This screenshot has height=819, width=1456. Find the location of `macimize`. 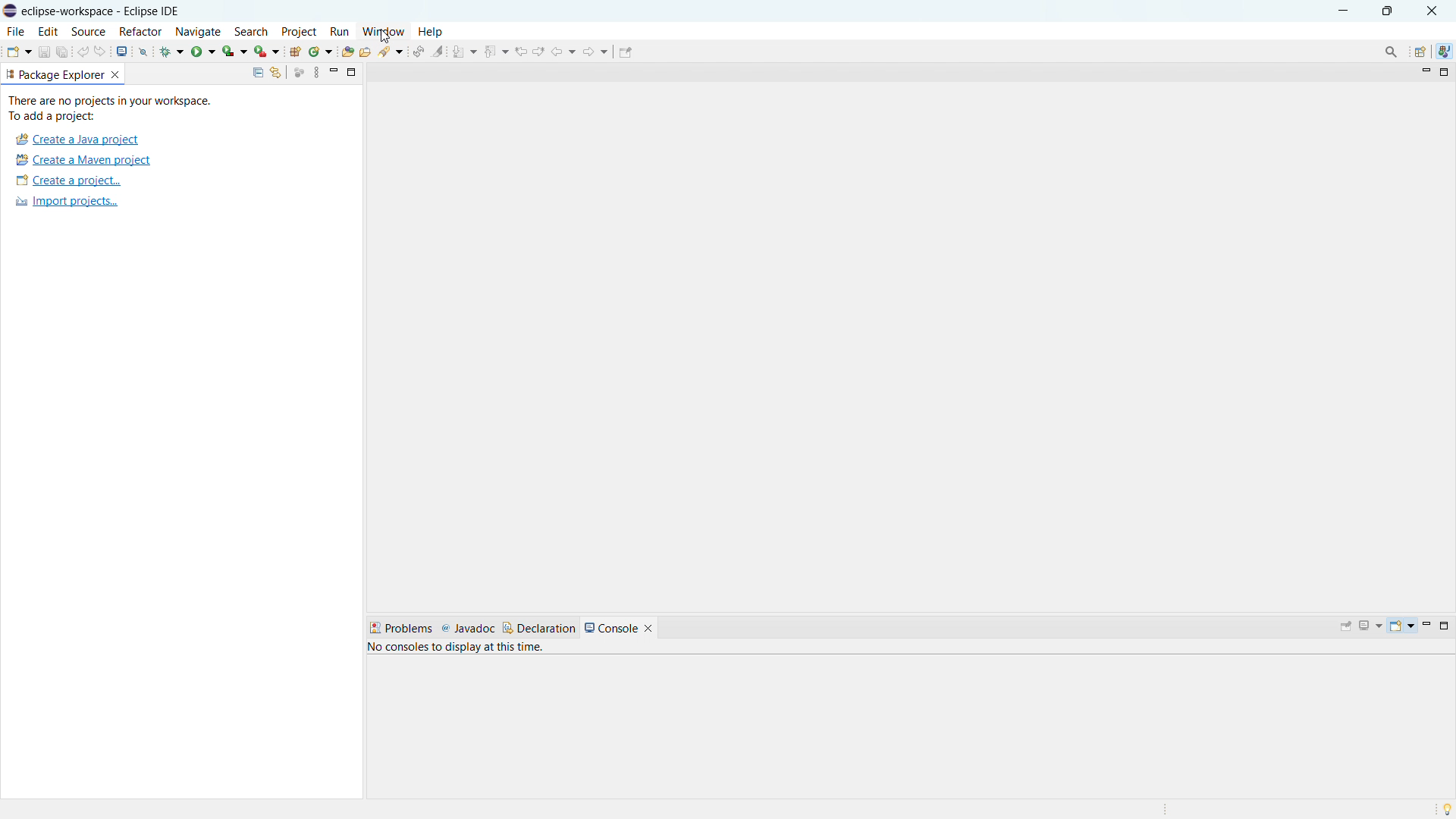

macimize is located at coordinates (353, 73).